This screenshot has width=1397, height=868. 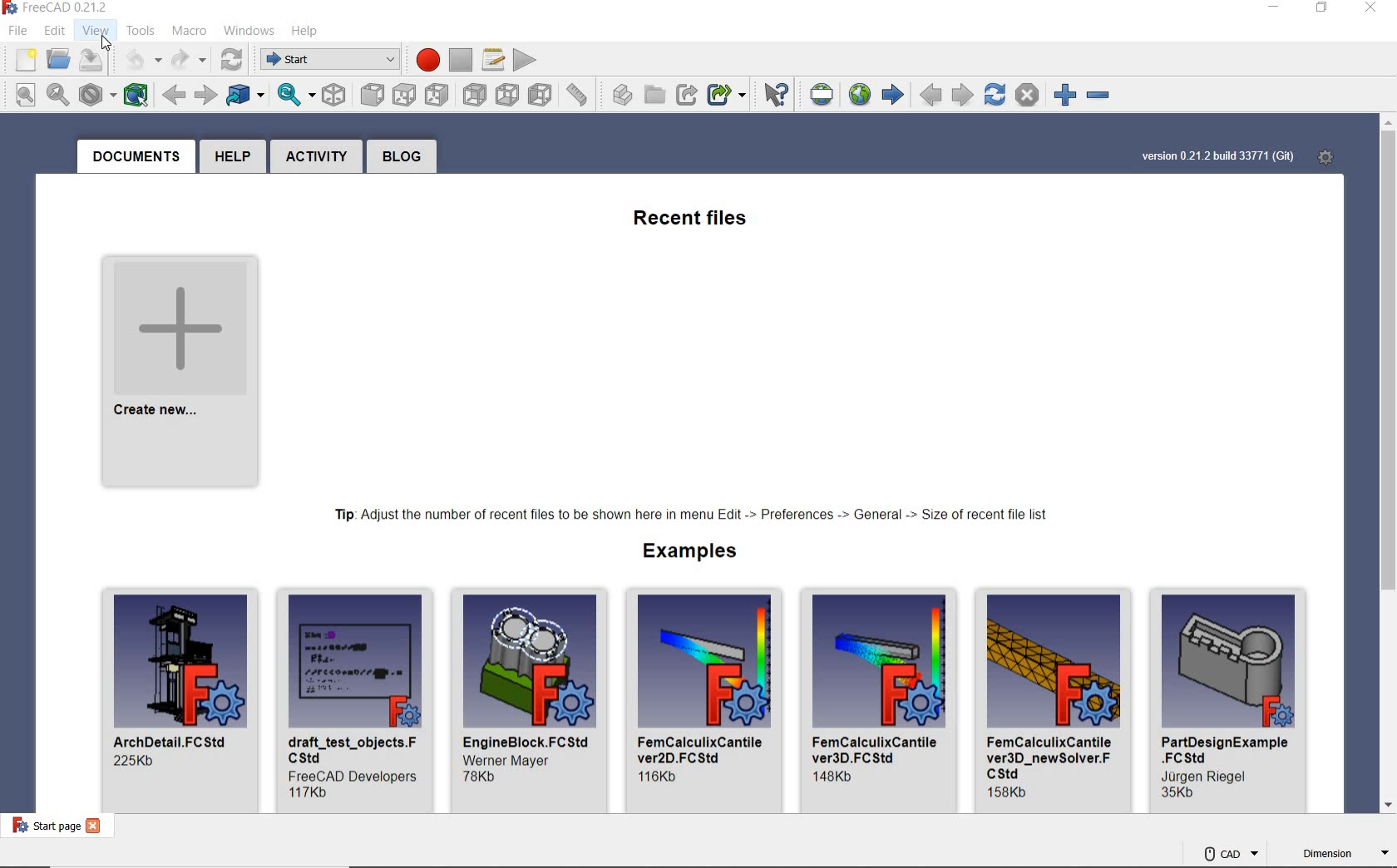 I want to click on WHAT'S THIS, so click(x=773, y=95).